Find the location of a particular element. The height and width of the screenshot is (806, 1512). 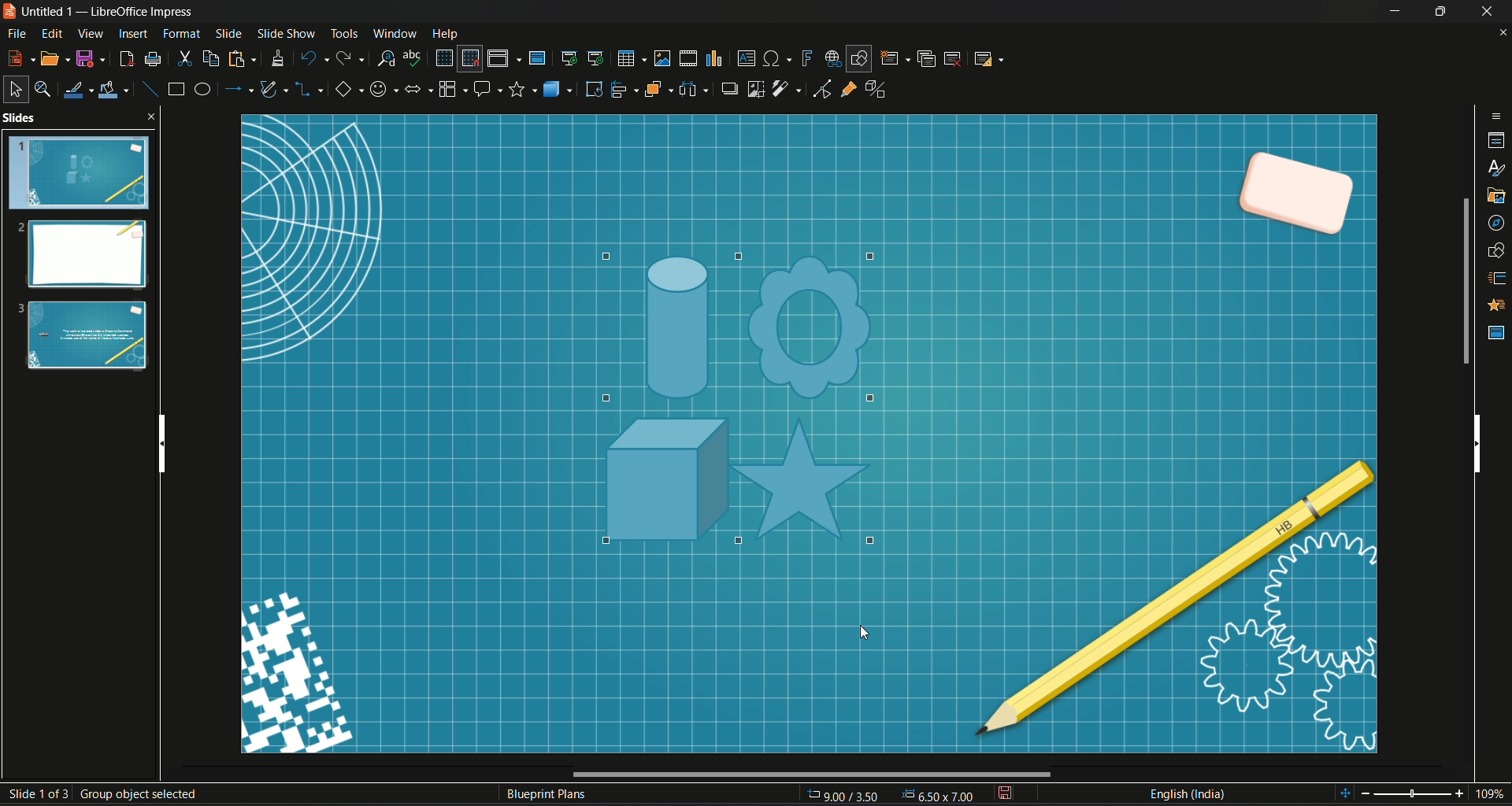

master slide is located at coordinates (1497, 333).